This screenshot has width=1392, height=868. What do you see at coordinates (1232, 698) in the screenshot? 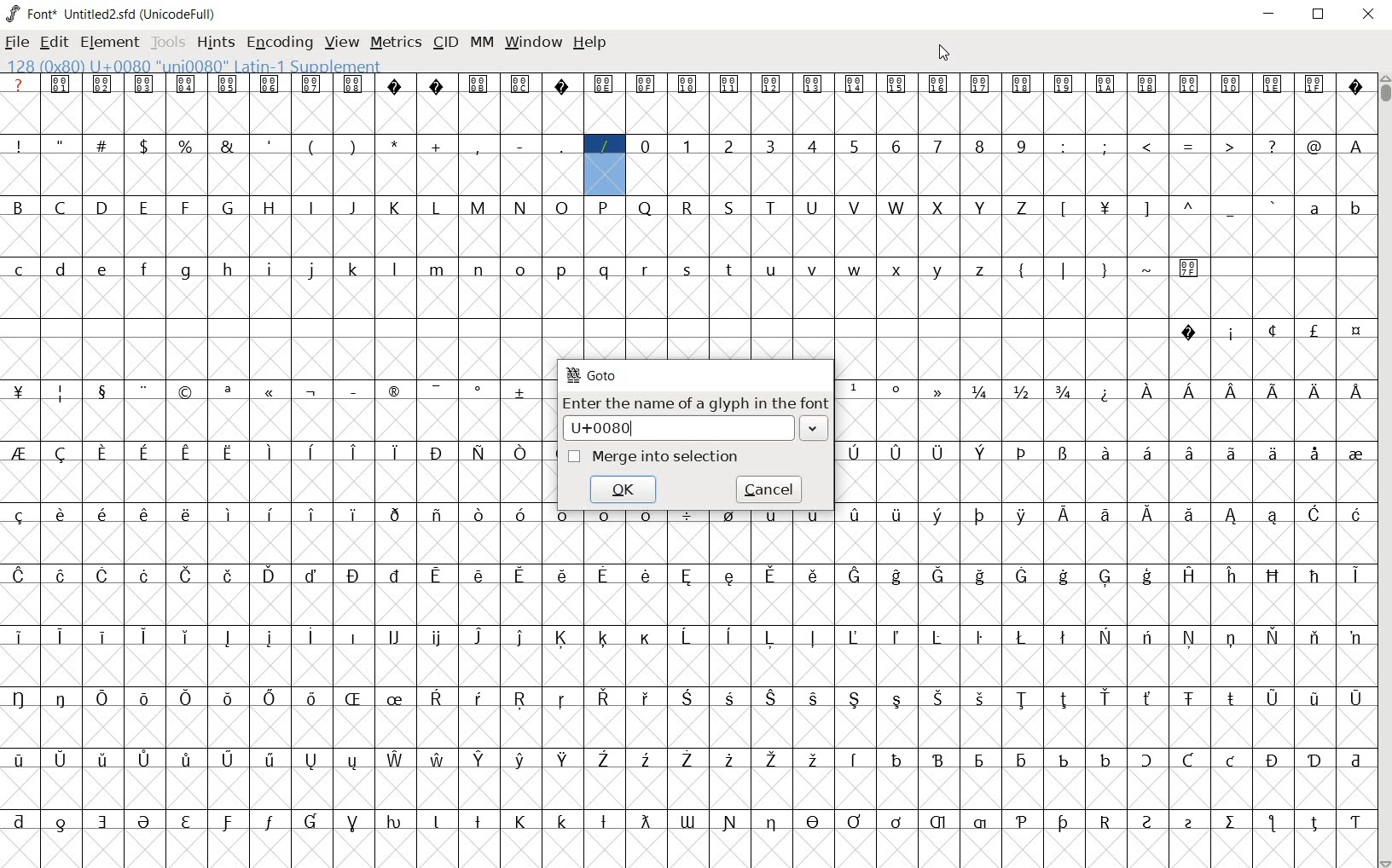
I see `glyph` at bounding box center [1232, 698].